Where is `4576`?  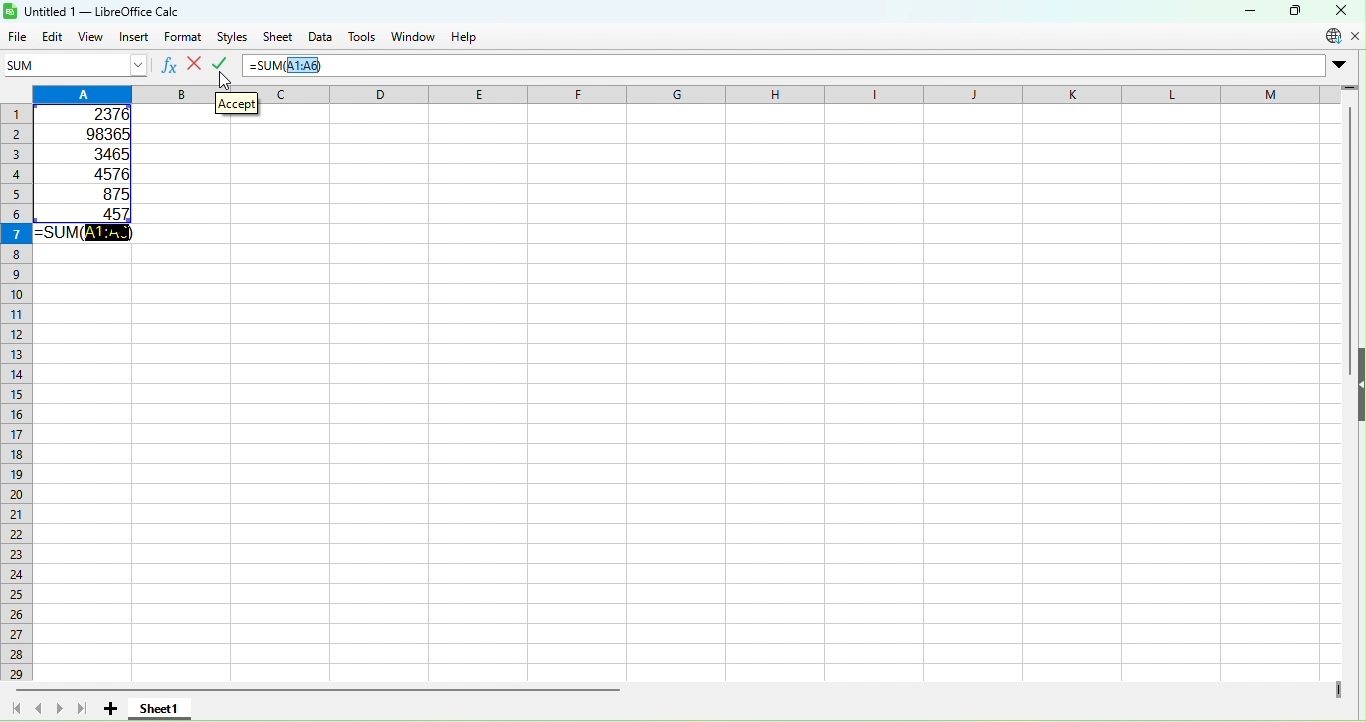
4576 is located at coordinates (100, 171).